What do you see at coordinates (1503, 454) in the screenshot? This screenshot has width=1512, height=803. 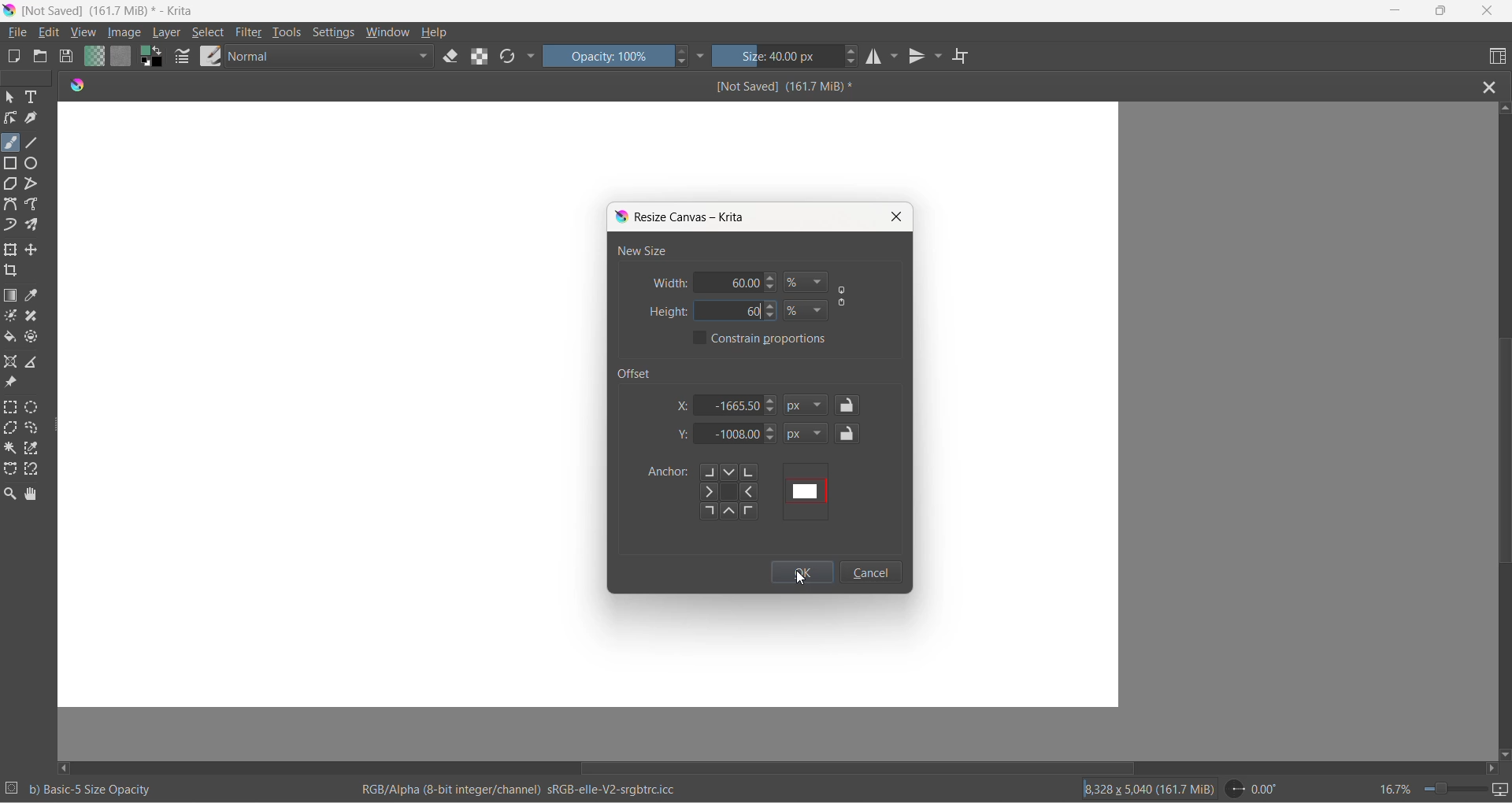 I see `vertical scroll bar` at bounding box center [1503, 454].